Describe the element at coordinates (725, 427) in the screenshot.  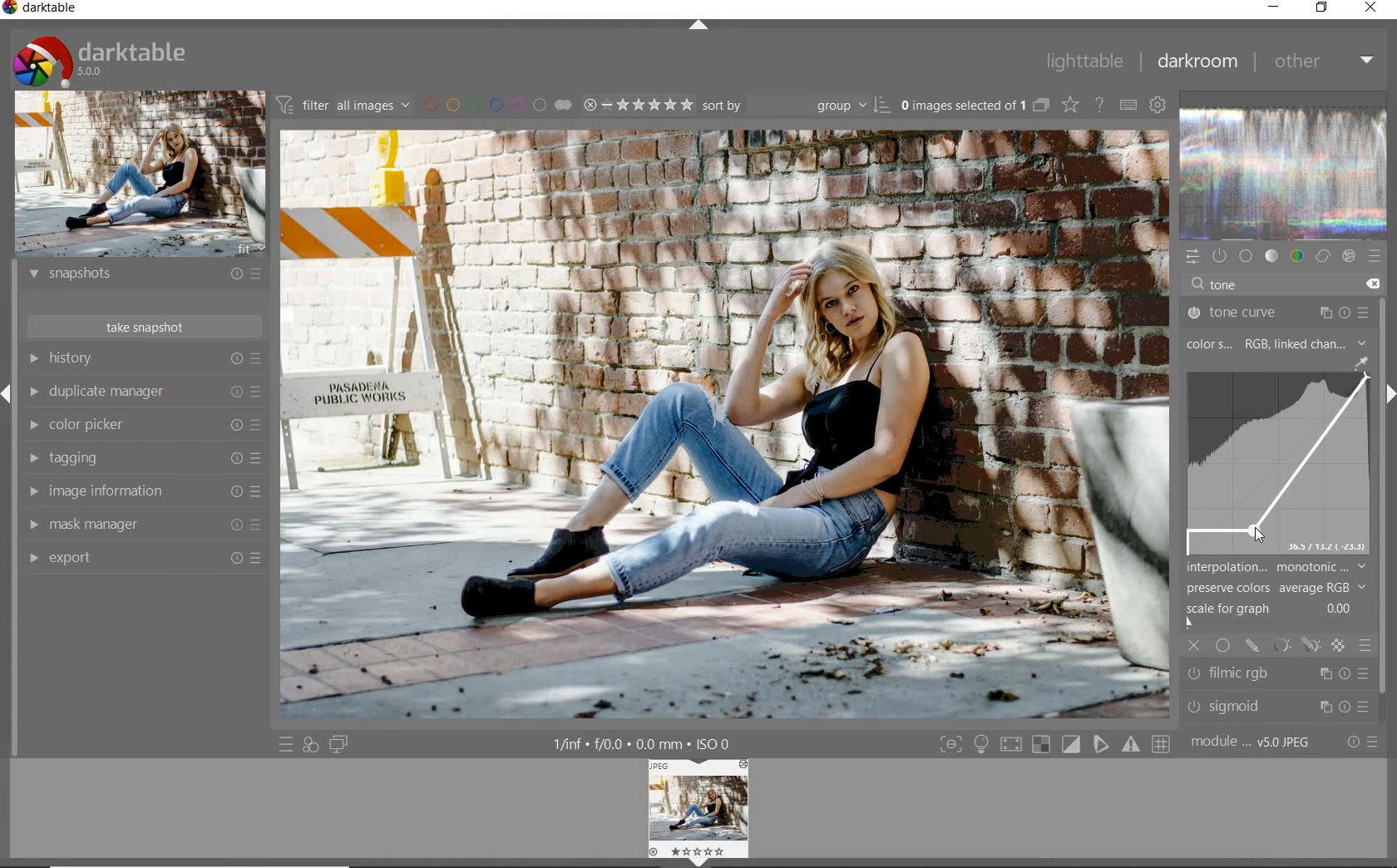
I see `selected image` at that location.